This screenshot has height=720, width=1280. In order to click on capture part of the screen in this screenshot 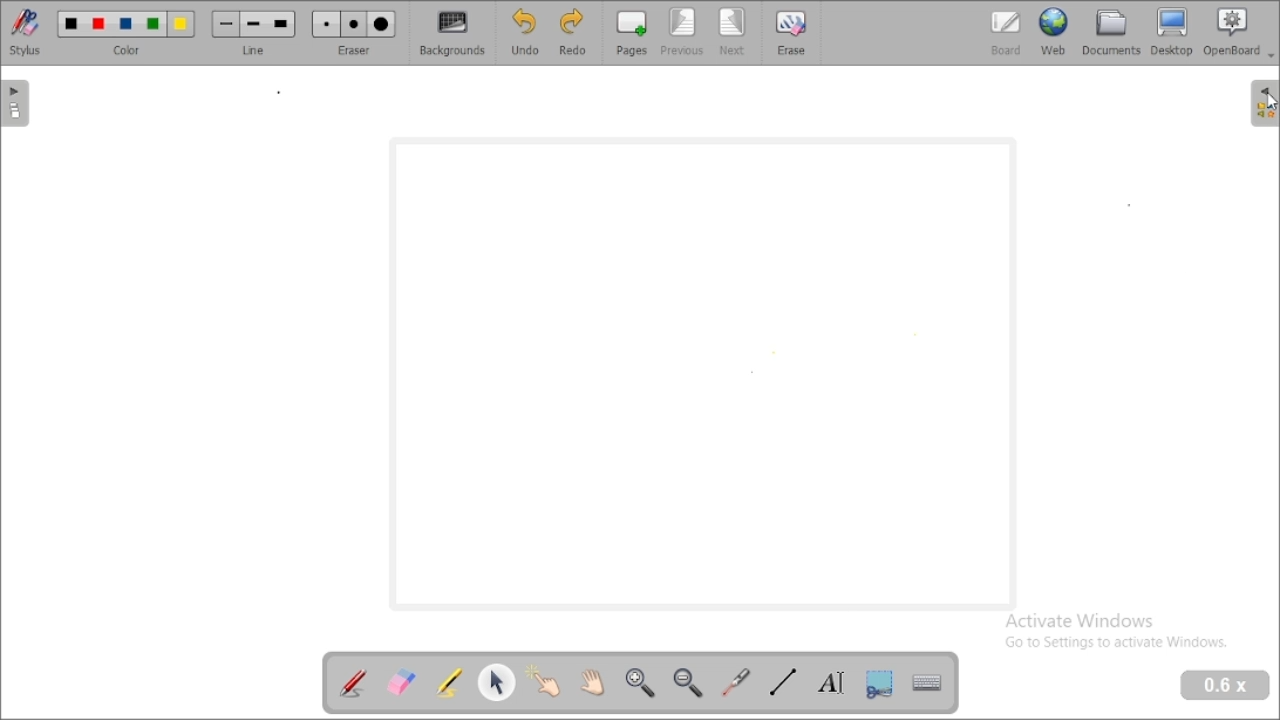, I will do `click(880, 682)`.